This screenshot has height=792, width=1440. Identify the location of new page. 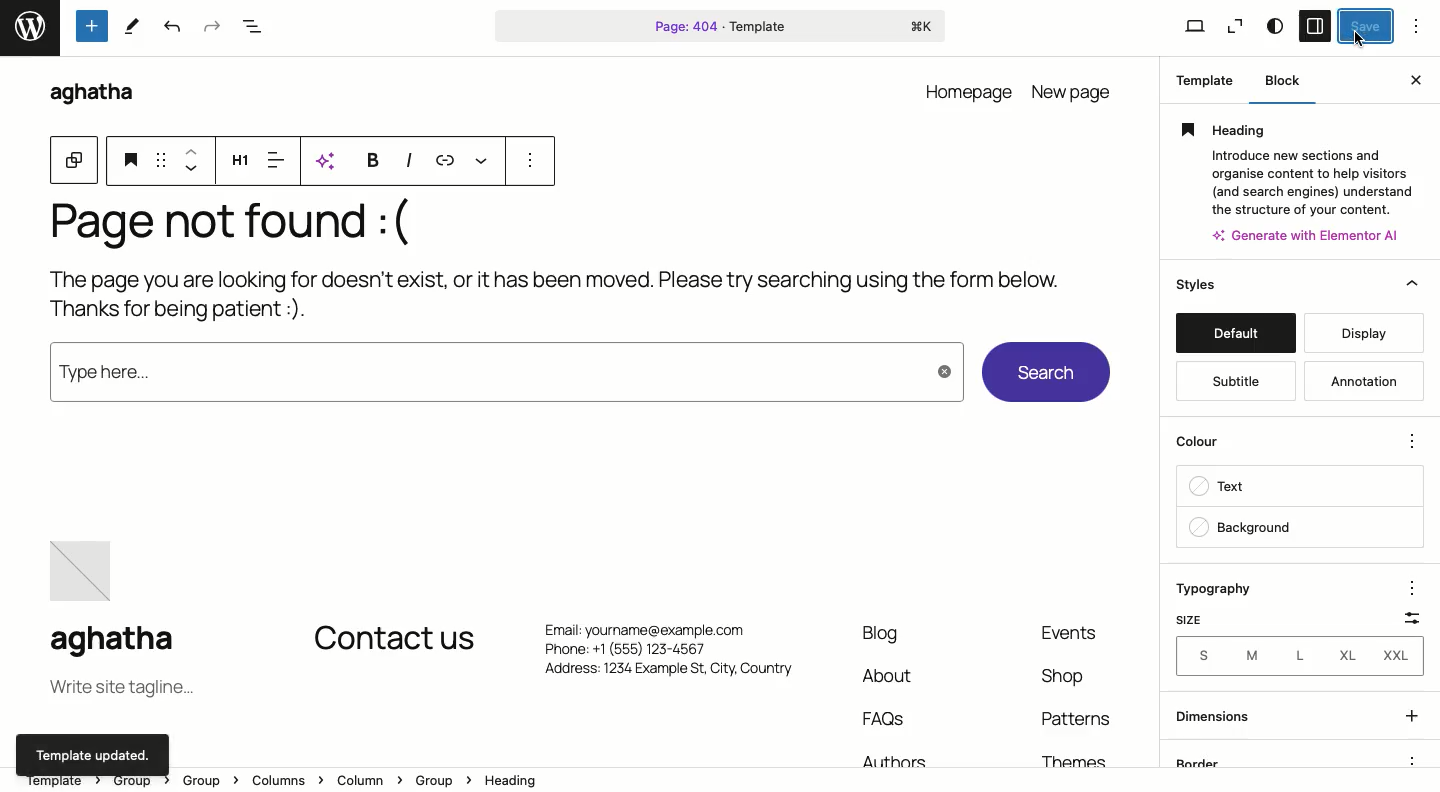
(1075, 90).